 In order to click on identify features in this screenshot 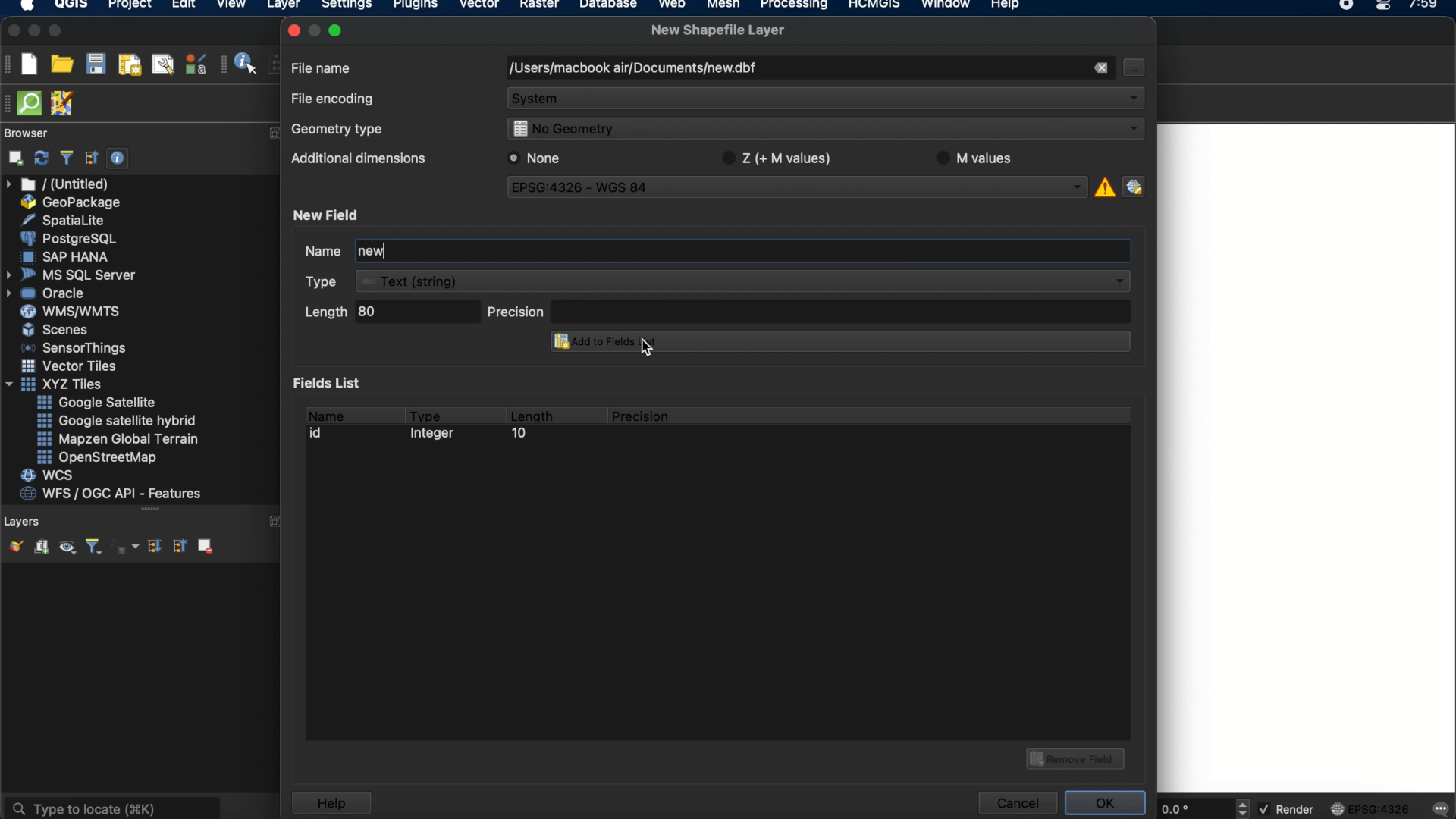, I will do `click(240, 64)`.